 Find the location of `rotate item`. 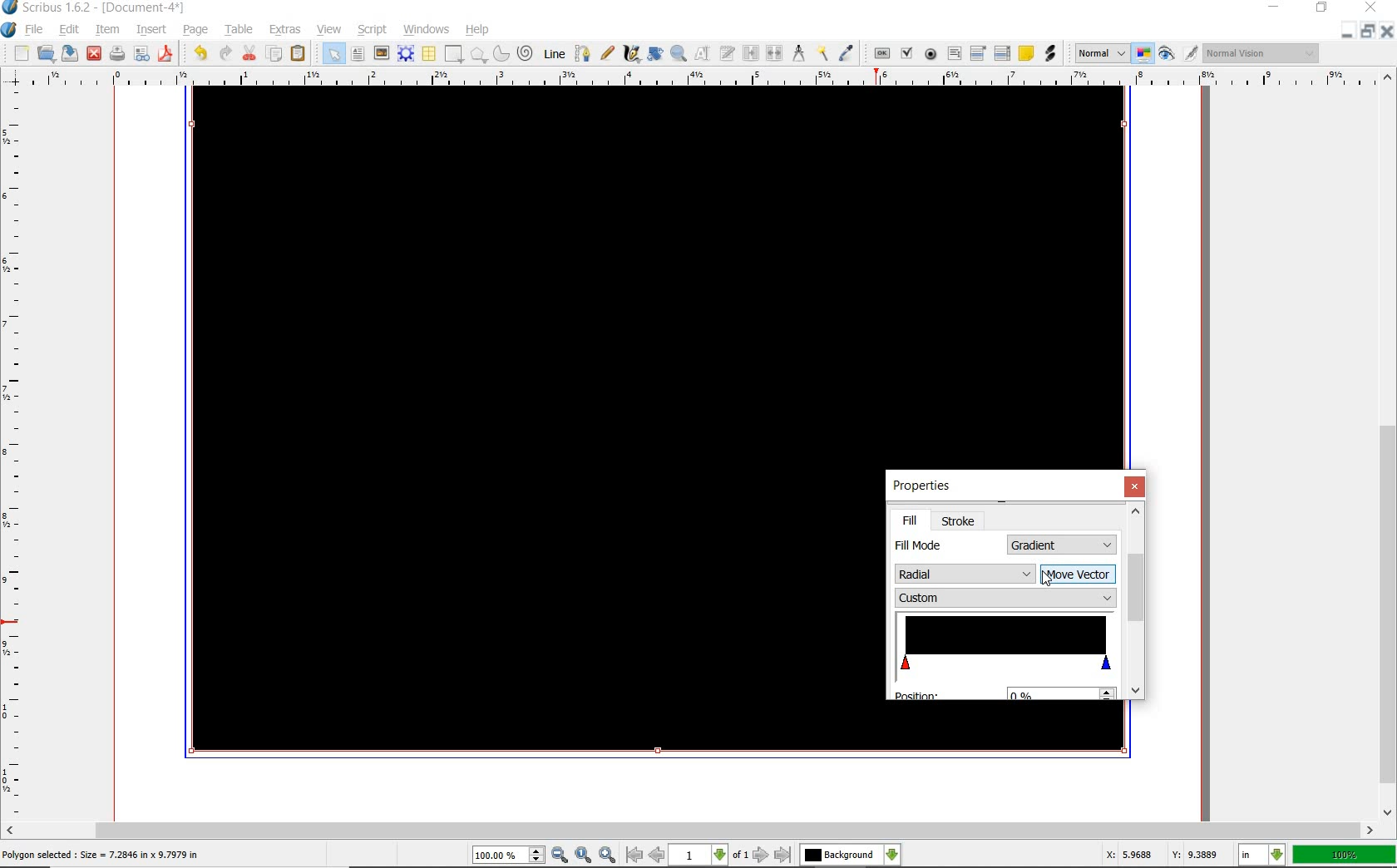

rotate item is located at coordinates (654, 55).